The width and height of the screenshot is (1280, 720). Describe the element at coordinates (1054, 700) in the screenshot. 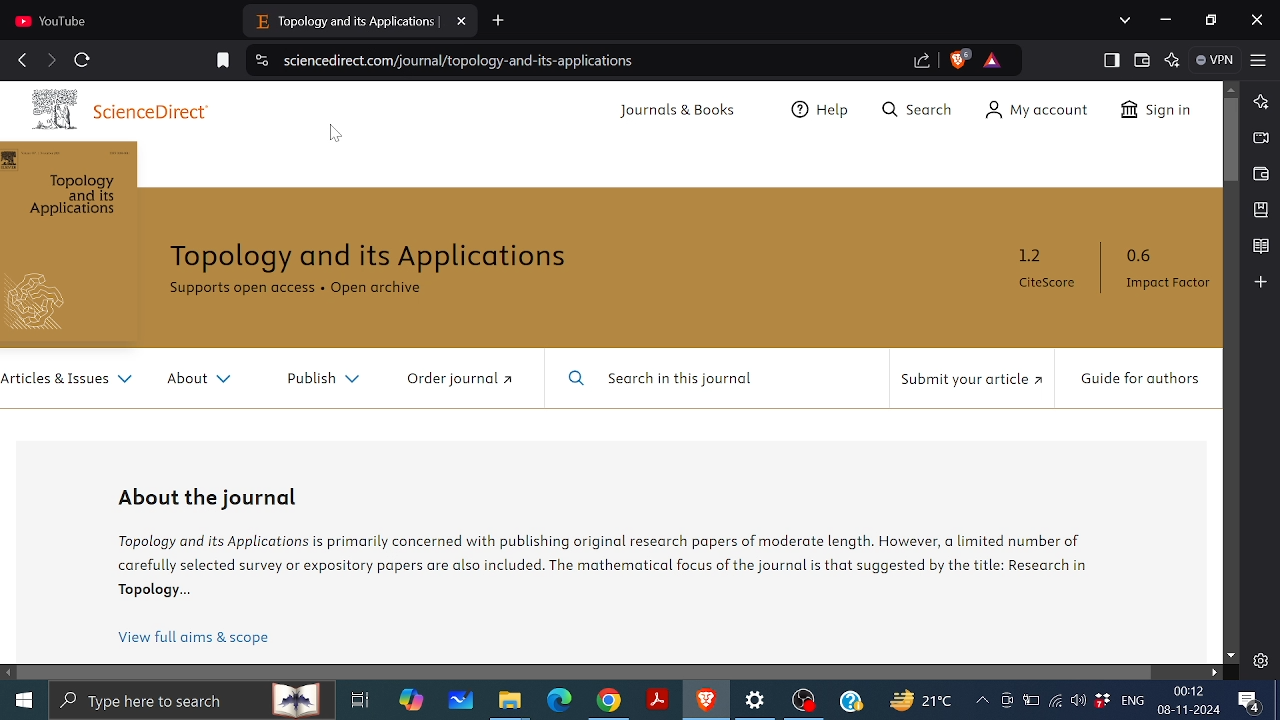

I see `Internet access` at that location.